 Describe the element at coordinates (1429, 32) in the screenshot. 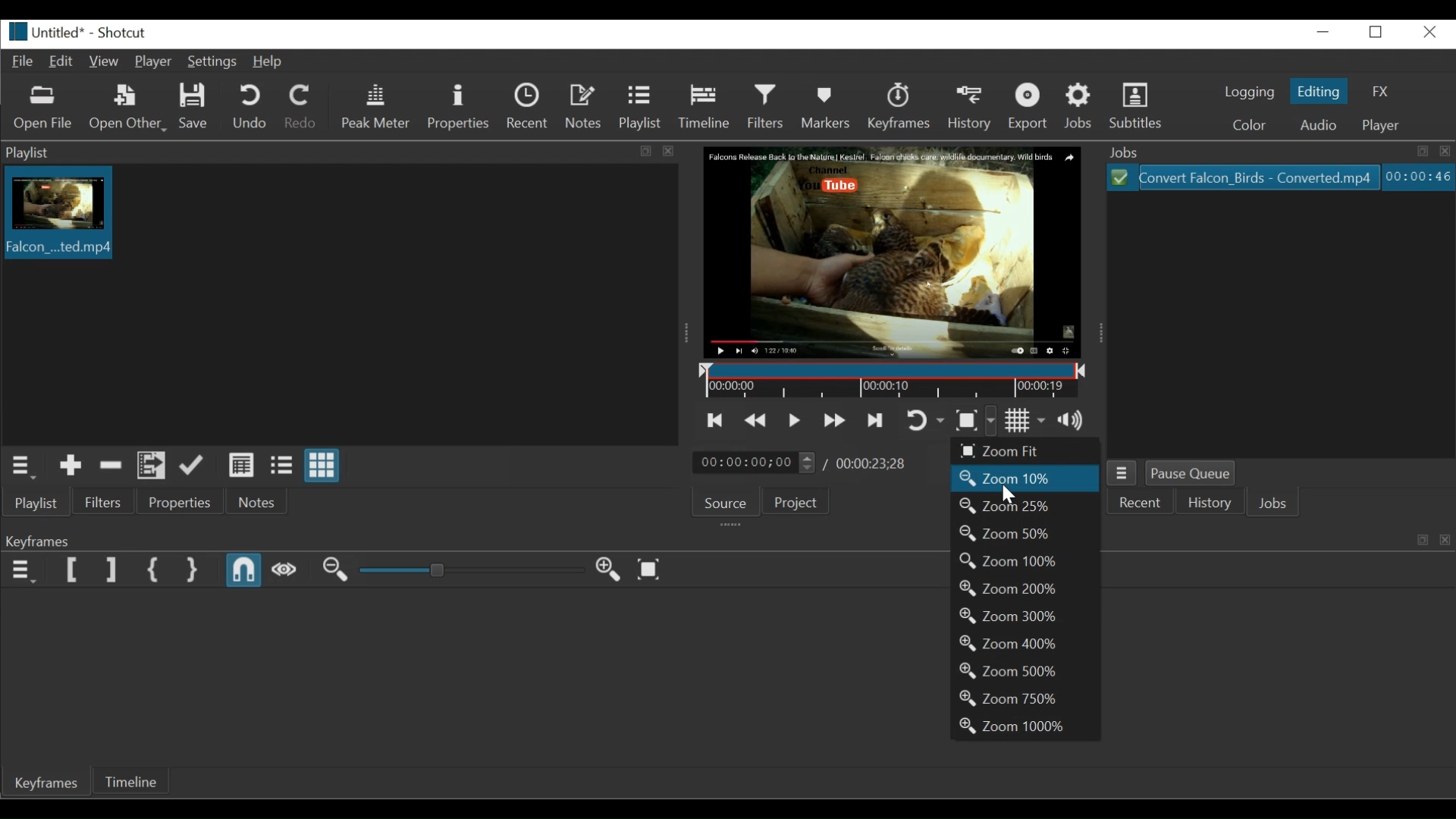

I see `Close` at that location.